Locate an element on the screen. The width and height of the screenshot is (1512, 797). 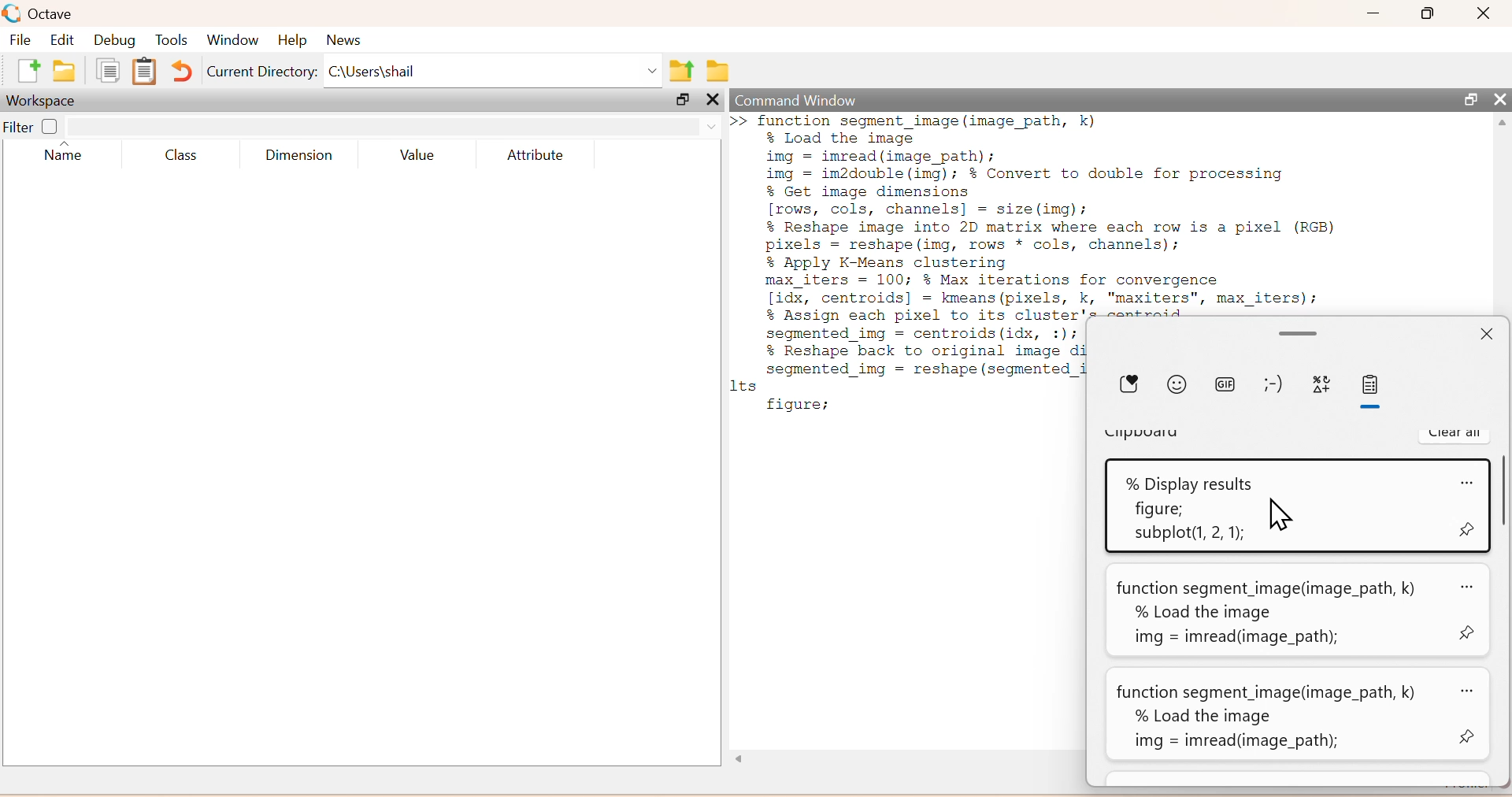
Class is located at coordinates (184, 156).